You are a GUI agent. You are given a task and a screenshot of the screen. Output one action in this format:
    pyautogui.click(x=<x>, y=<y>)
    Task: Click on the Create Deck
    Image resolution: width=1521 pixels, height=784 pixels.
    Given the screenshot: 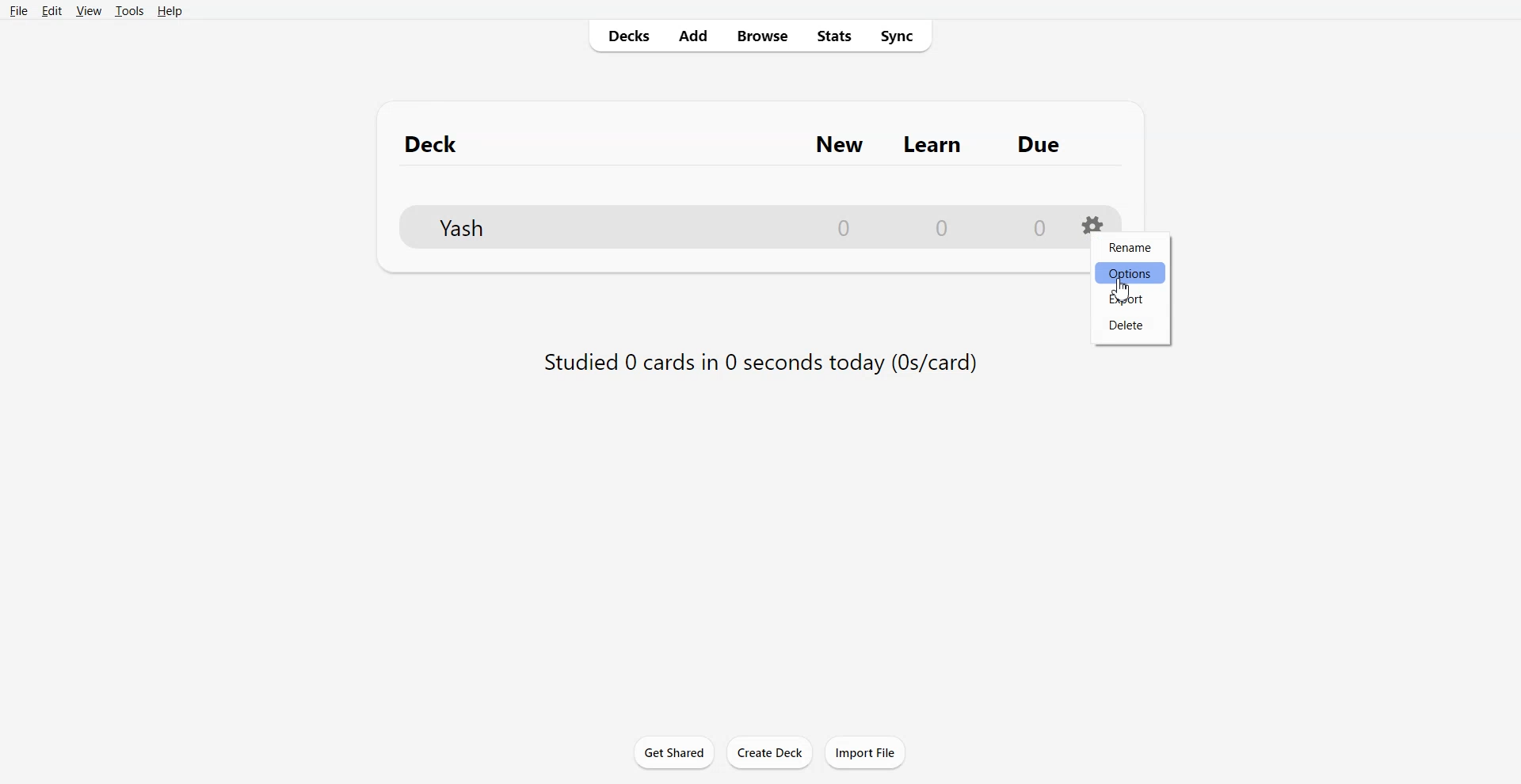 What is the action you would take?
    pyautogui.click(x=769, y=752)
    